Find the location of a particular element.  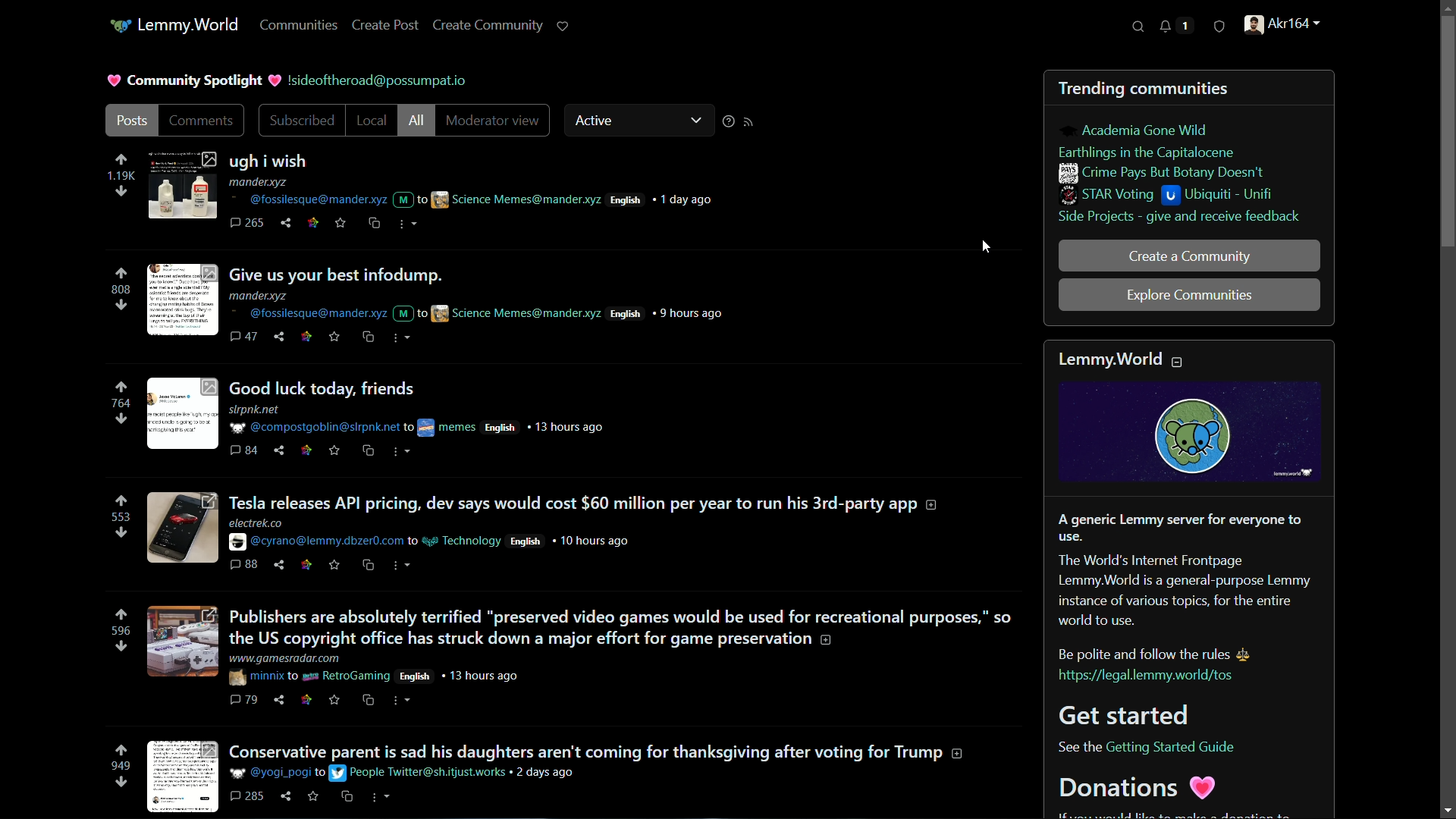

technology is located at coordinates (462, 541).